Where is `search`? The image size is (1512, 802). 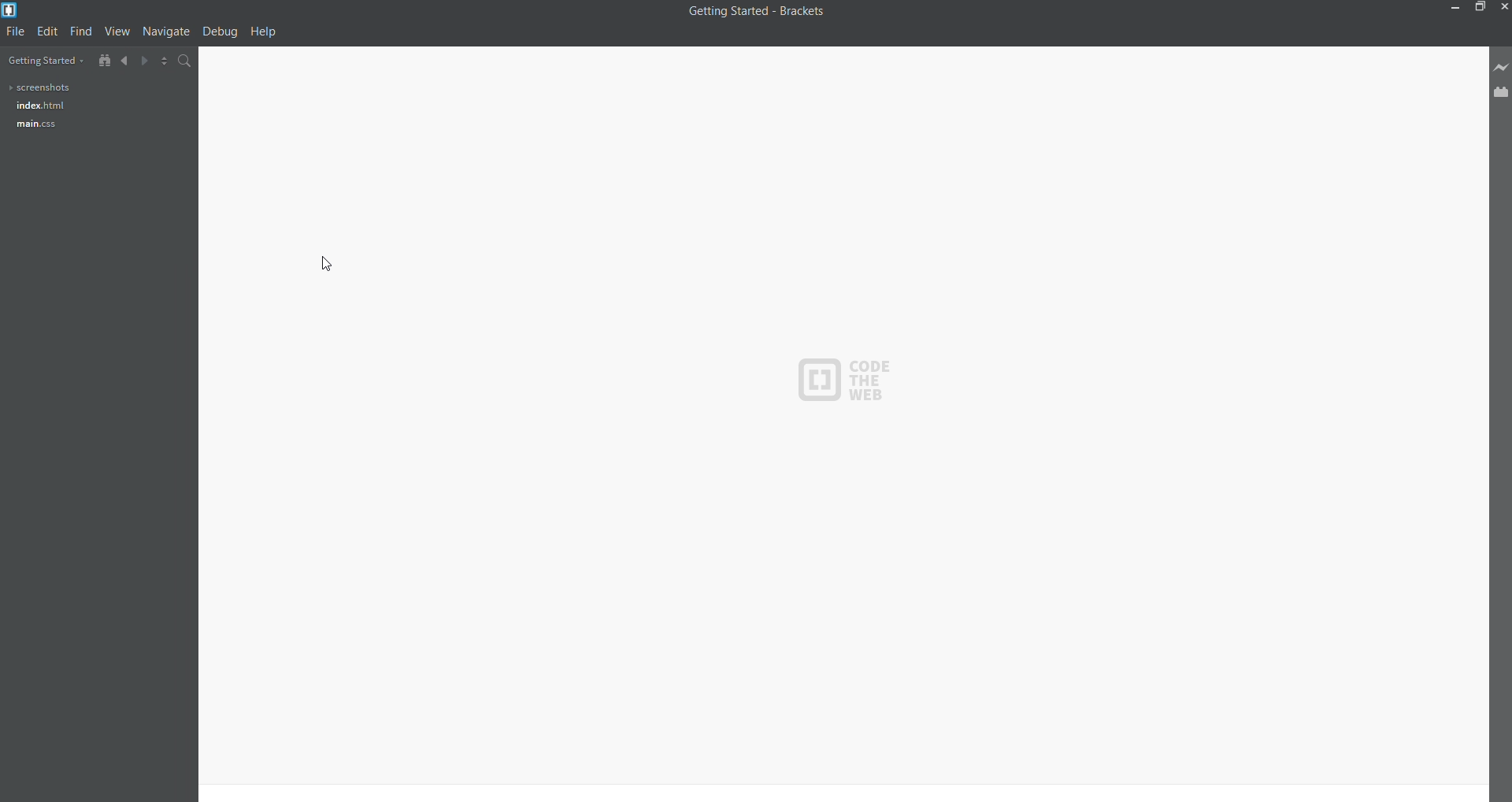 search is located at coordinates (183, 61).